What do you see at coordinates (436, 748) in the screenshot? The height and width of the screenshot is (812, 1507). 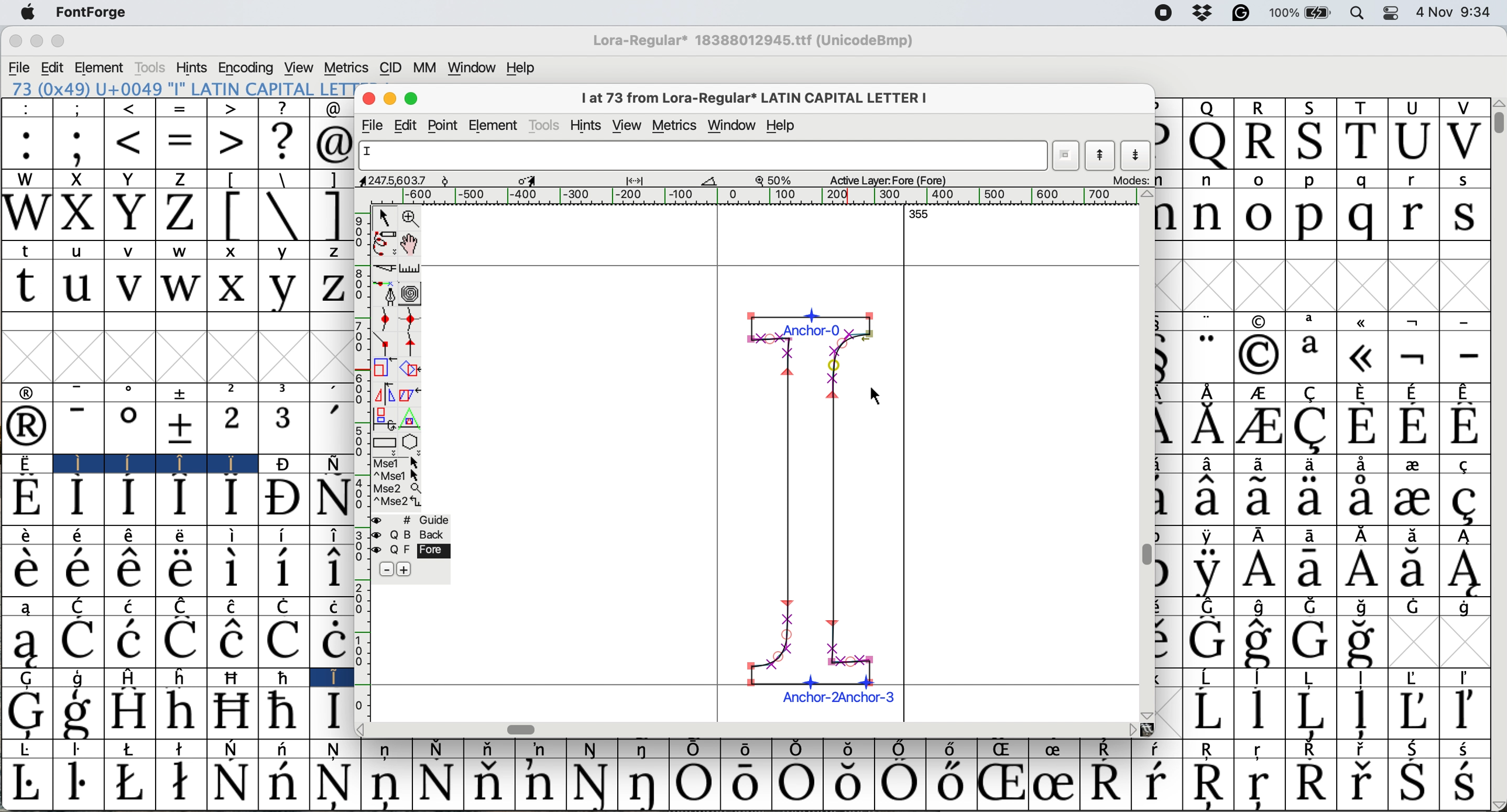 I see `Symbol` at bounding box center [436, 748].